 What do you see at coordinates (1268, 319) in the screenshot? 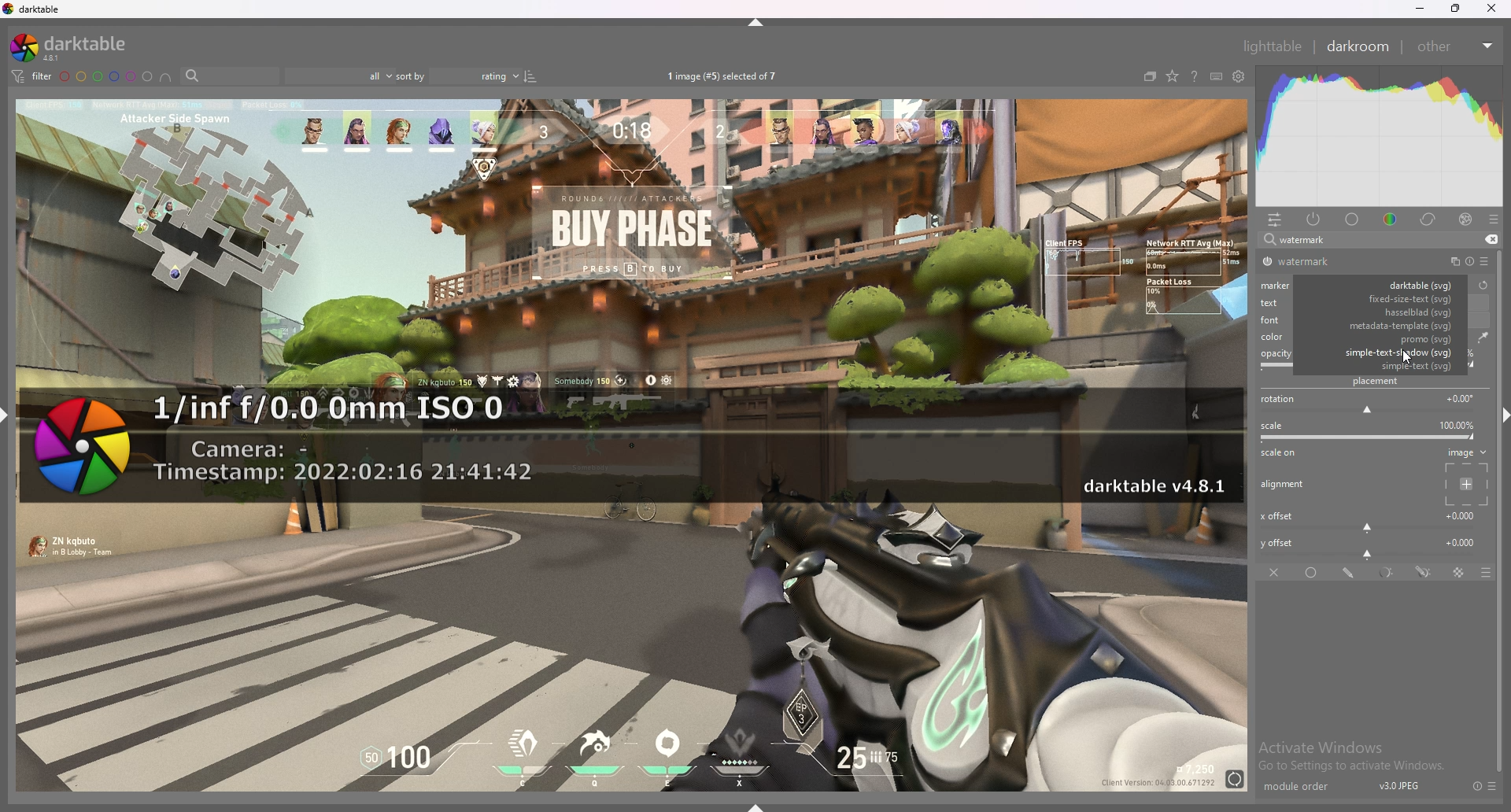
I see `font` at bounding box center [1268, 319].